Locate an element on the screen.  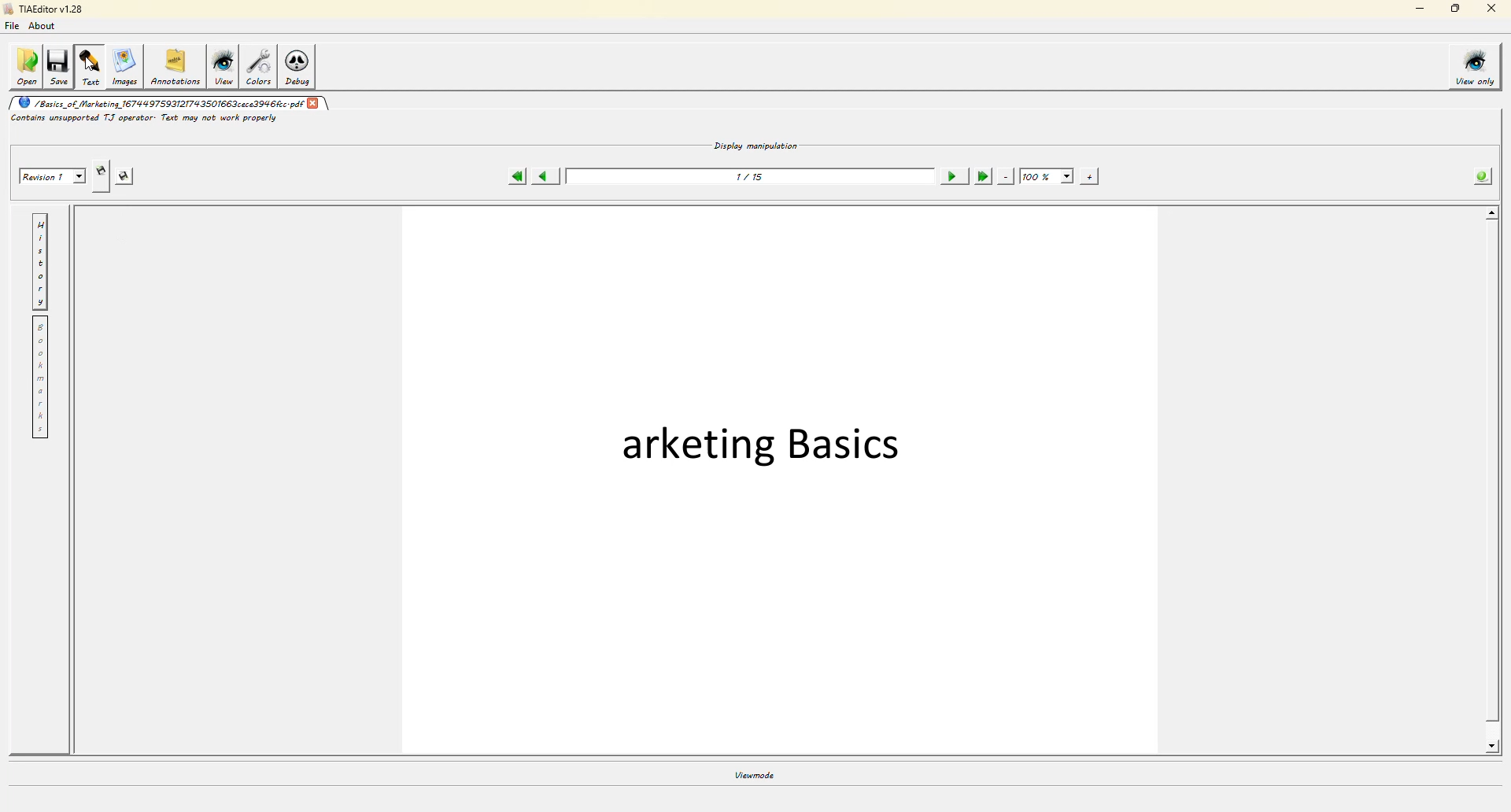
100% is located at coordinates (1046, 176).